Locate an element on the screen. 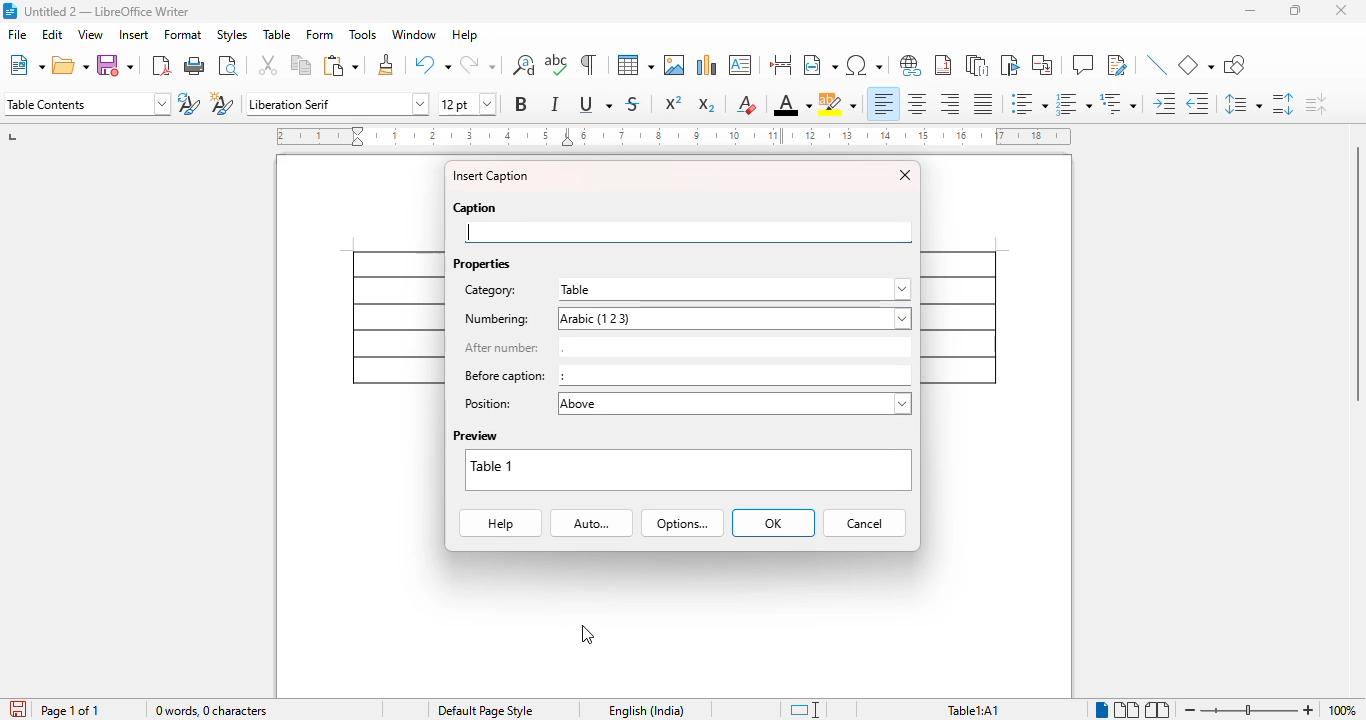  vertical scroll bar is located at coordinates (1354, 274).